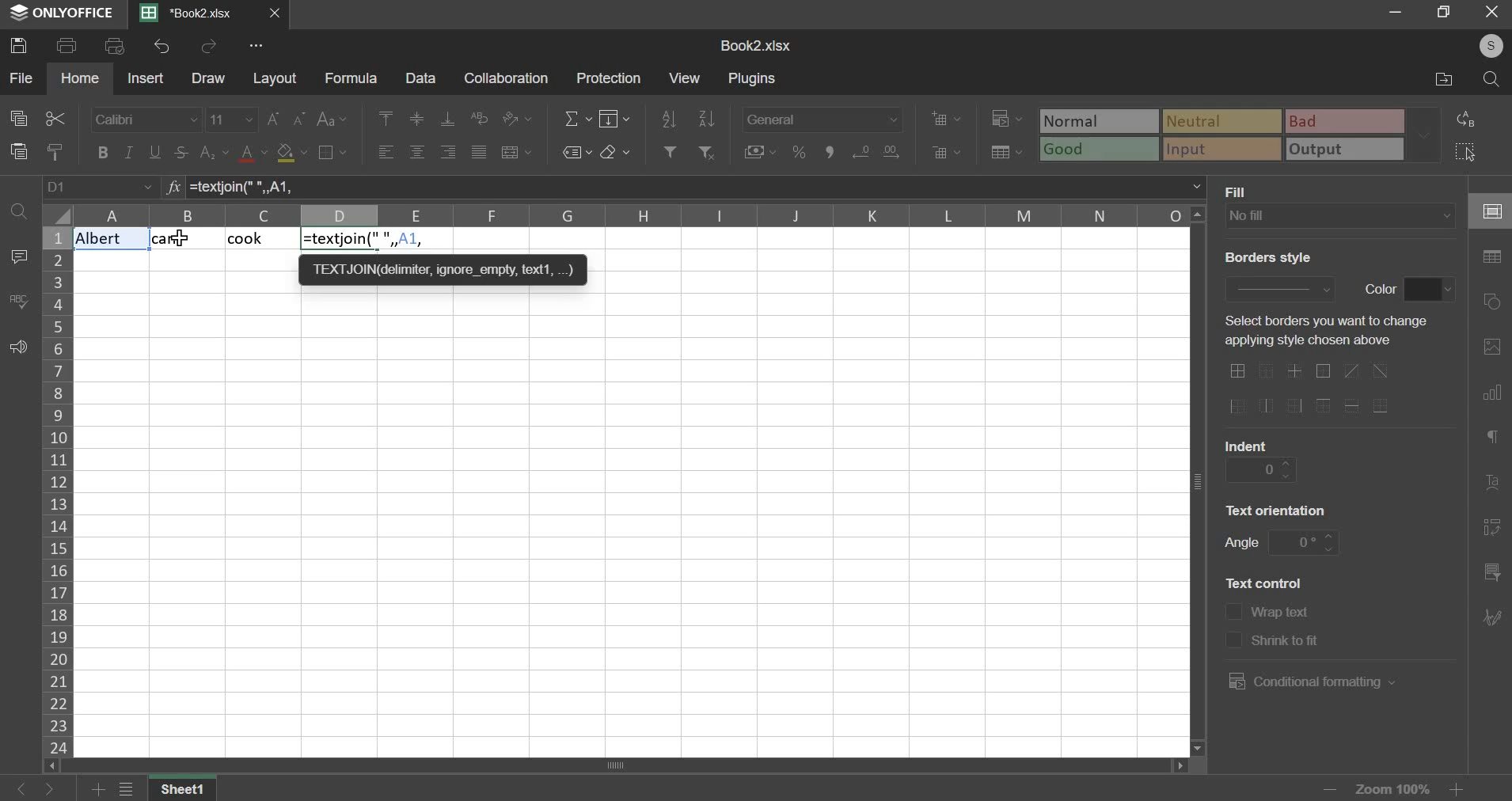  What do you see at coordinates (1442, 81) in the screenshot?
I see `file location` at bounding box center [1442, 81].